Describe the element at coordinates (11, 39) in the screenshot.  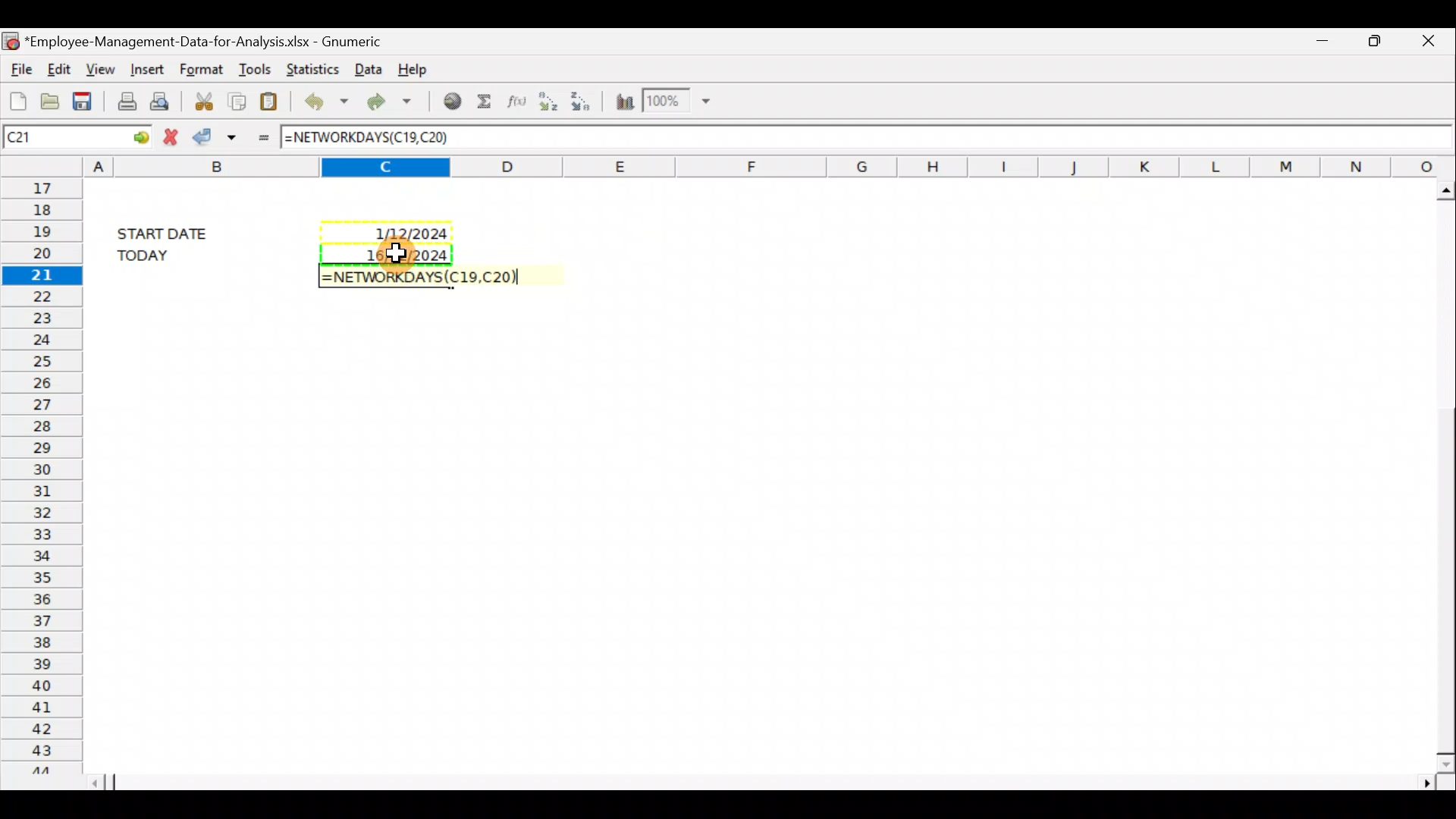
I see `Gnumeric logo` at that location.